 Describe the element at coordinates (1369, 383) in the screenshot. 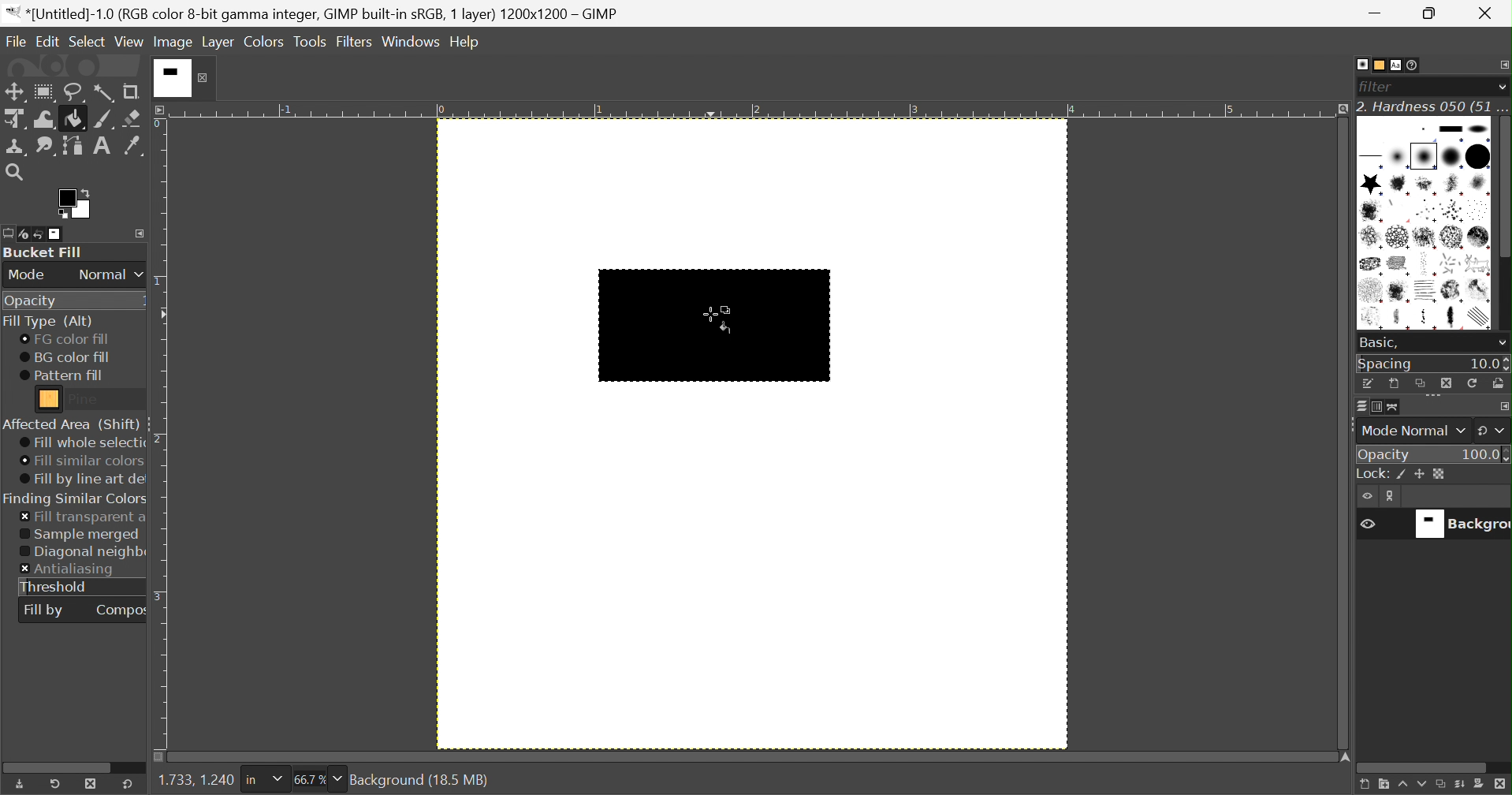

I see `Edit this brush` at that location.